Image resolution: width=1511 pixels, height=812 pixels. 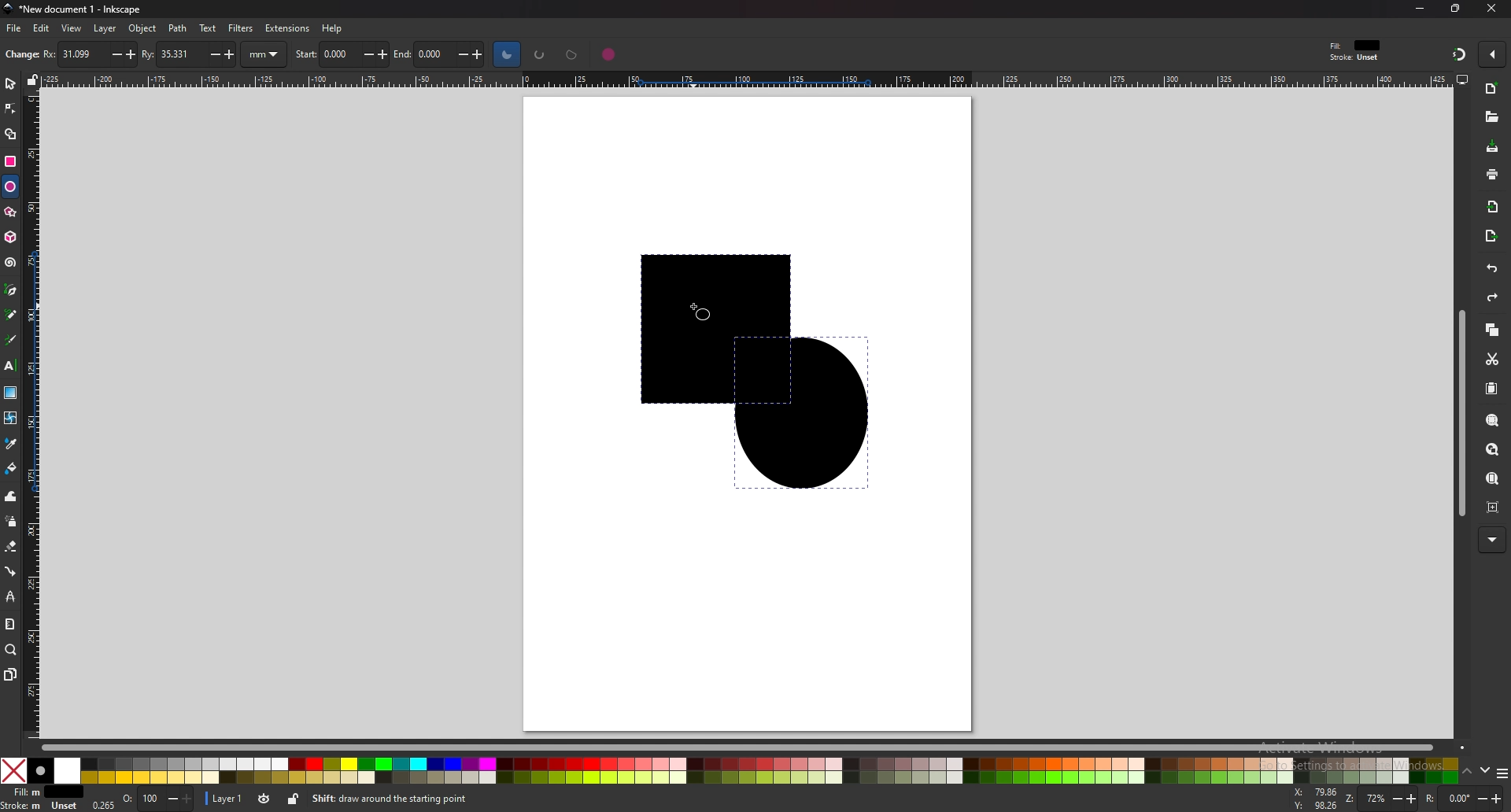 I want to click on mesh, so click(x=11, y=417).